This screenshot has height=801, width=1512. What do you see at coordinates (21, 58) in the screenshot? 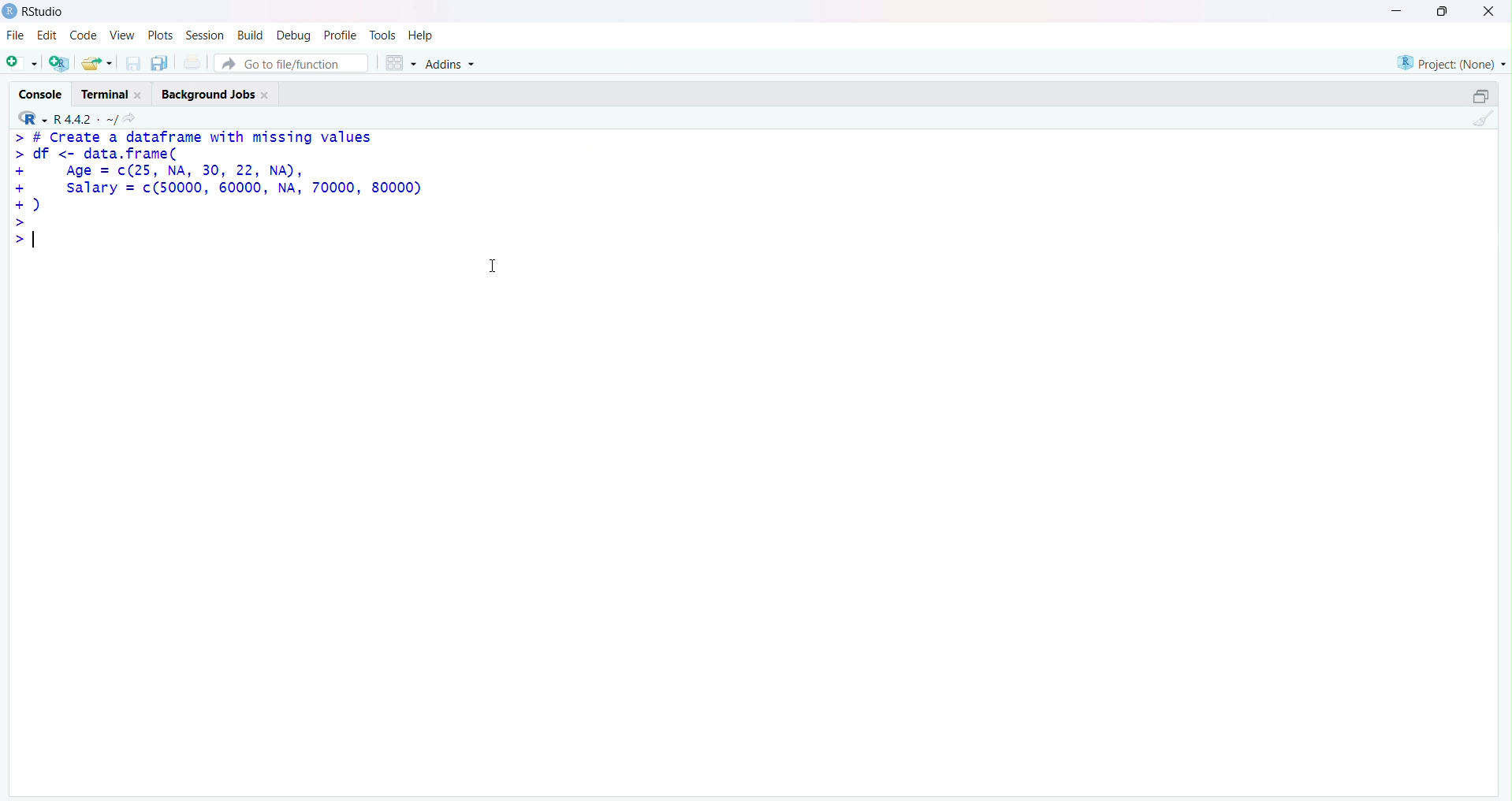
I see `New File` at bounding box center [21, 58].